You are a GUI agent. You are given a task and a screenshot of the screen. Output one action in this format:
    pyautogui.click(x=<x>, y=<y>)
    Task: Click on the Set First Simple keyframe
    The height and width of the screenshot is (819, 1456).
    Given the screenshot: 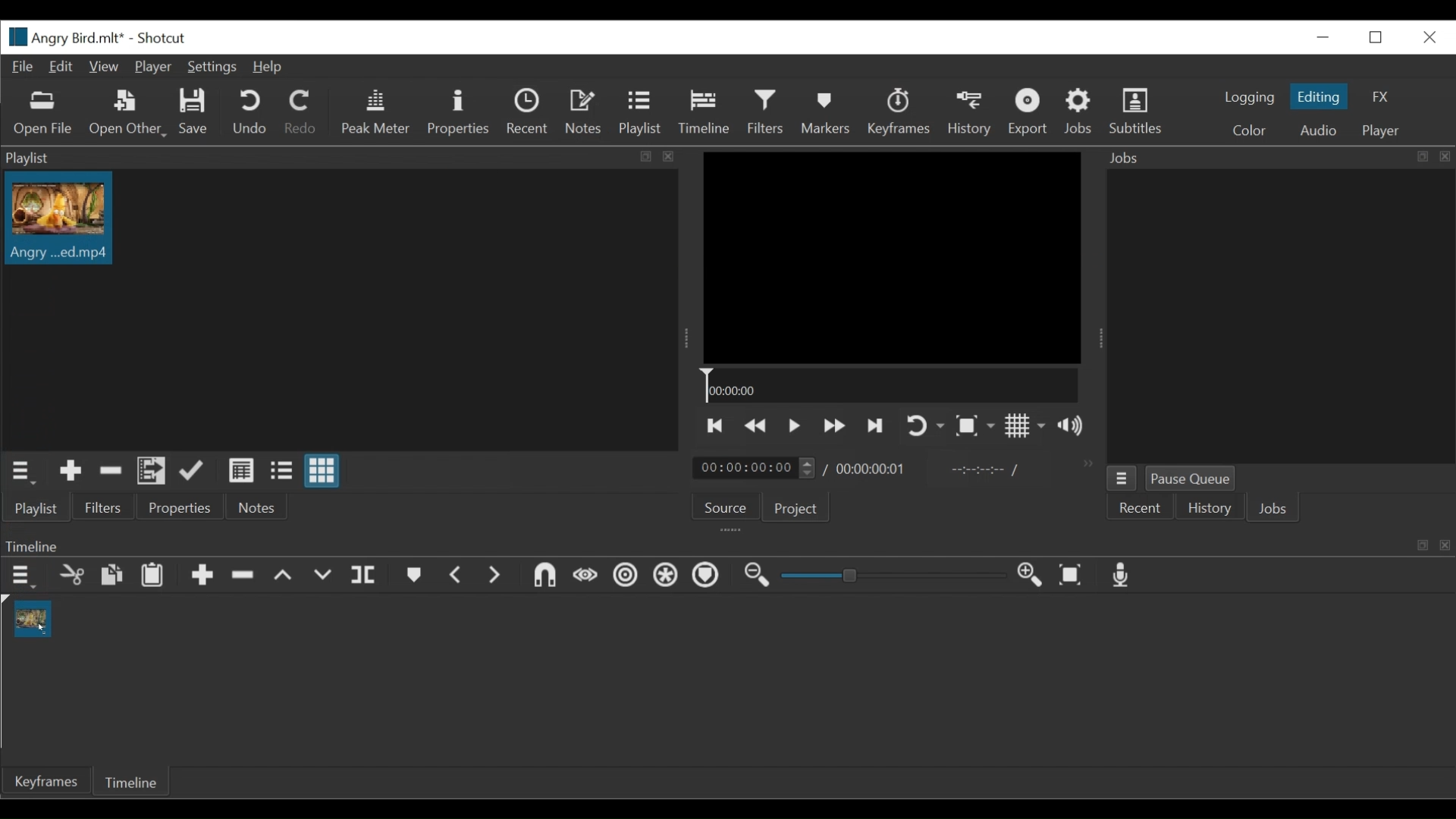 What is the action you would take?
    pyautogui.click(x=582, y=576)
    